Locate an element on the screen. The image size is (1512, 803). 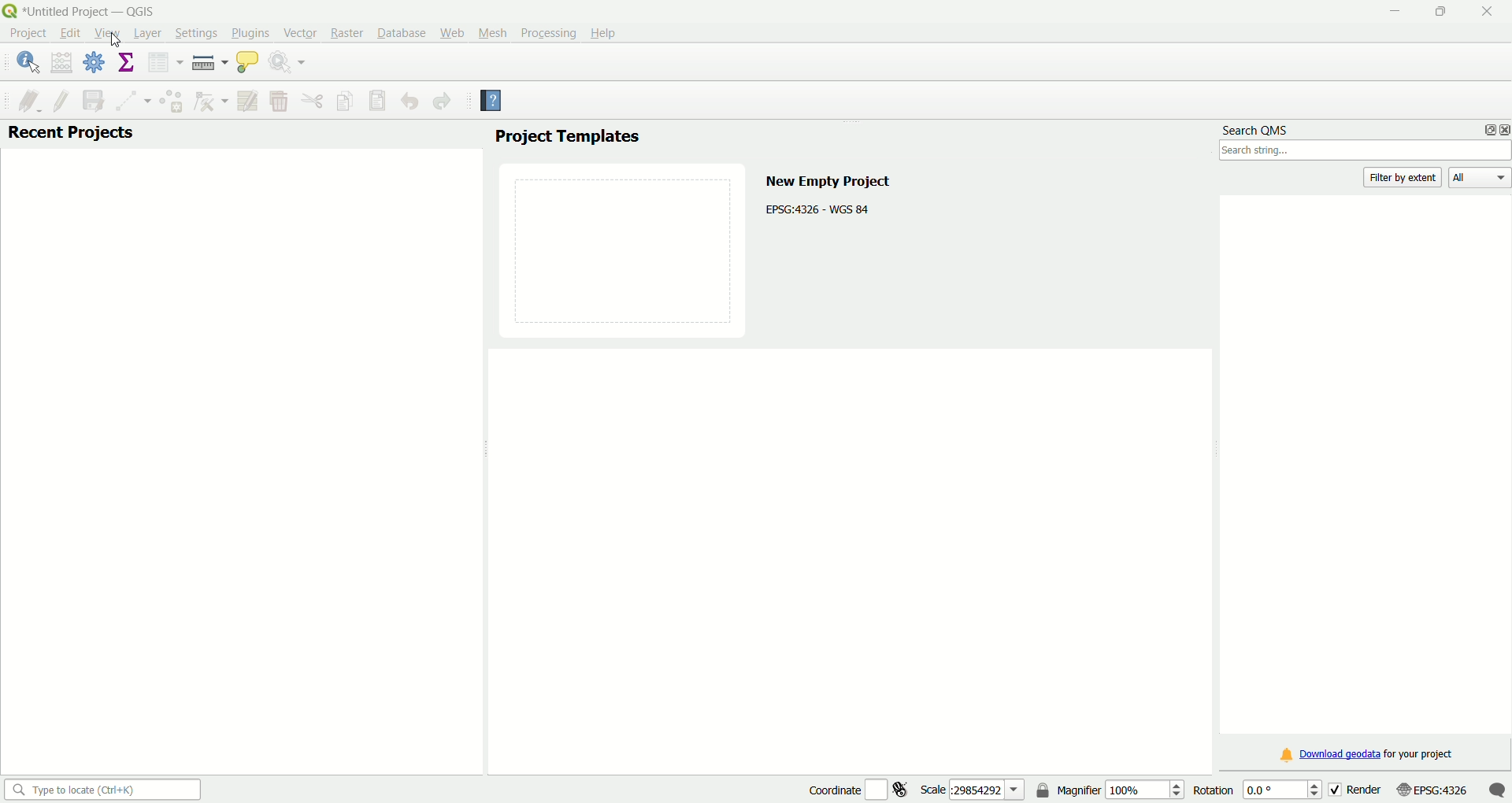
digitized with segment is located at coordinates (129, 100).